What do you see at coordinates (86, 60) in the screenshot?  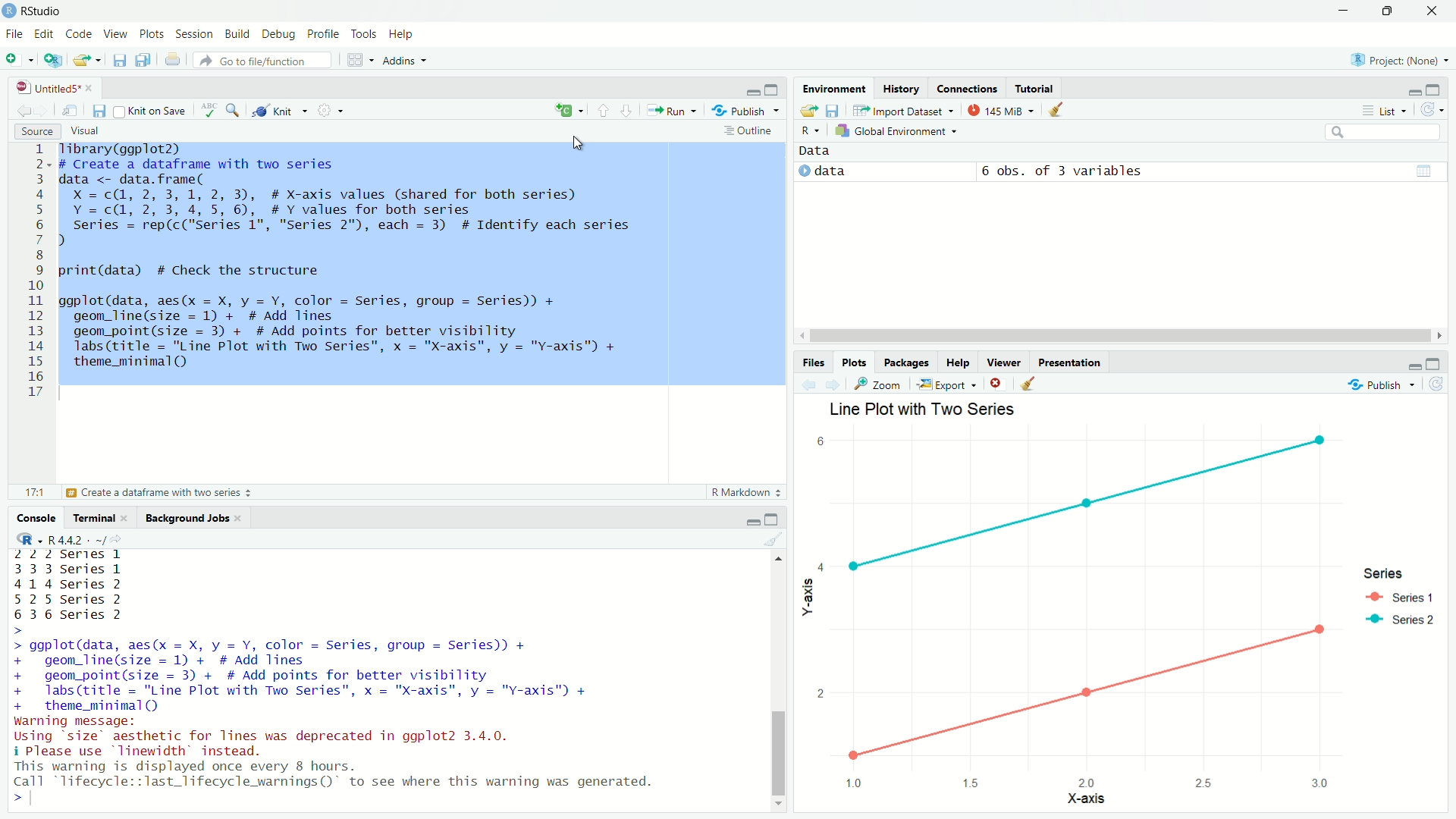 I see `Open an existing file` at bounding box center [86, 60].